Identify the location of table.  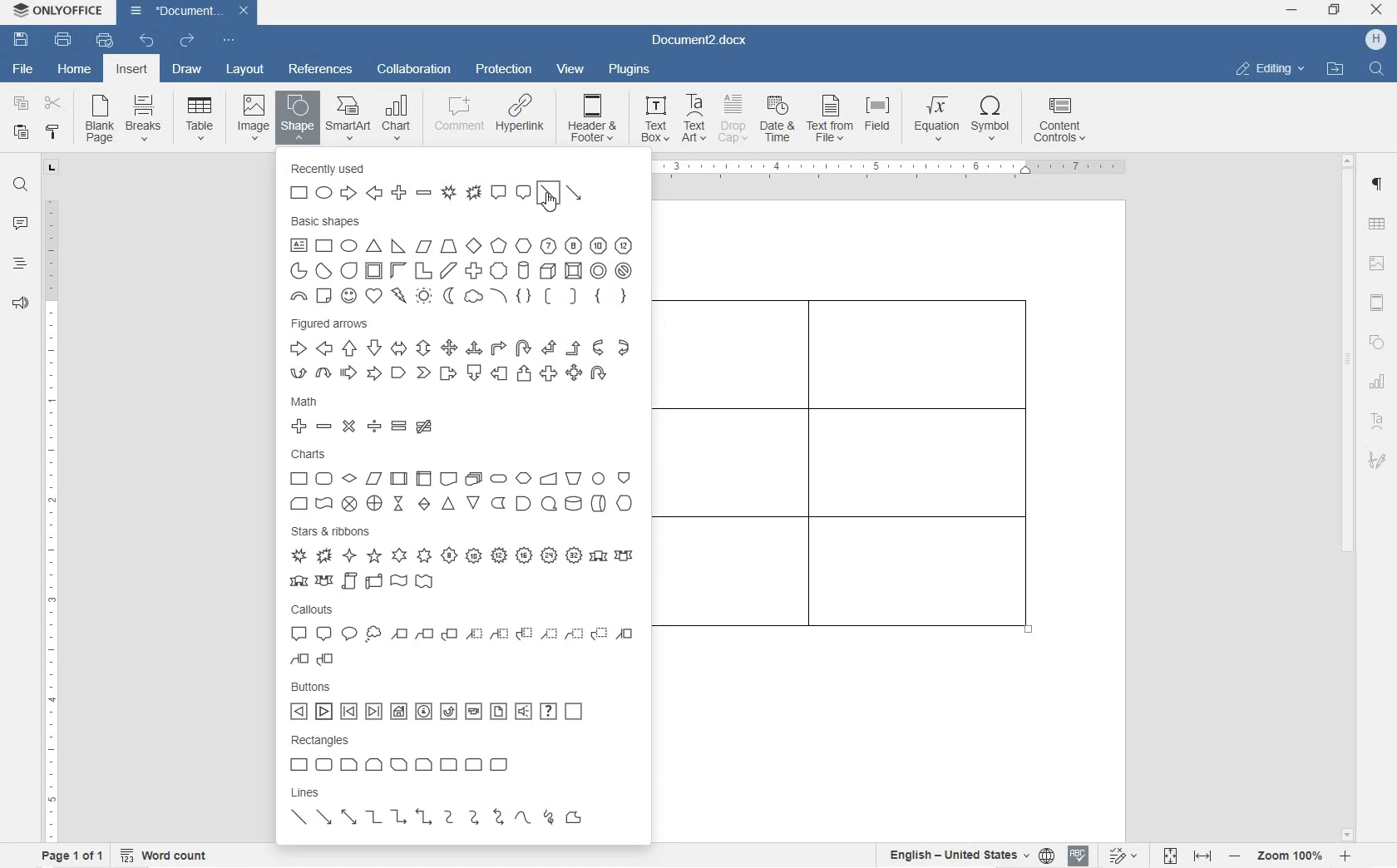
(860, 479).